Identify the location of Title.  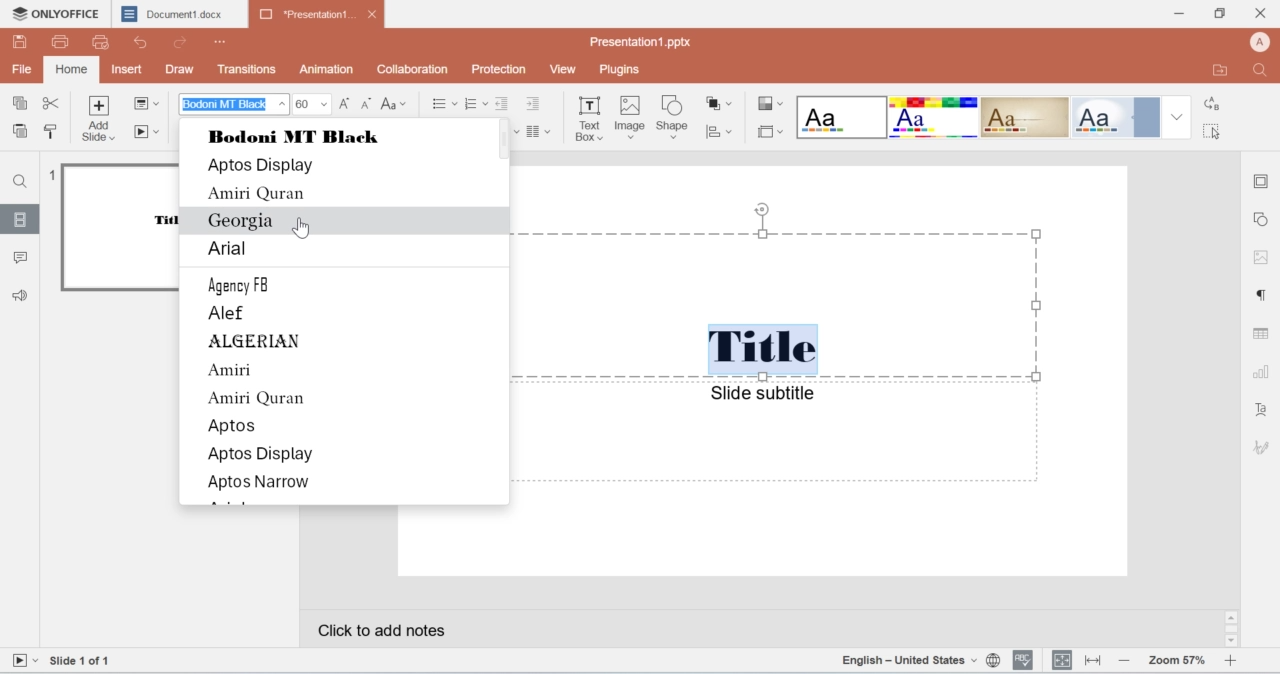
(763, 349).